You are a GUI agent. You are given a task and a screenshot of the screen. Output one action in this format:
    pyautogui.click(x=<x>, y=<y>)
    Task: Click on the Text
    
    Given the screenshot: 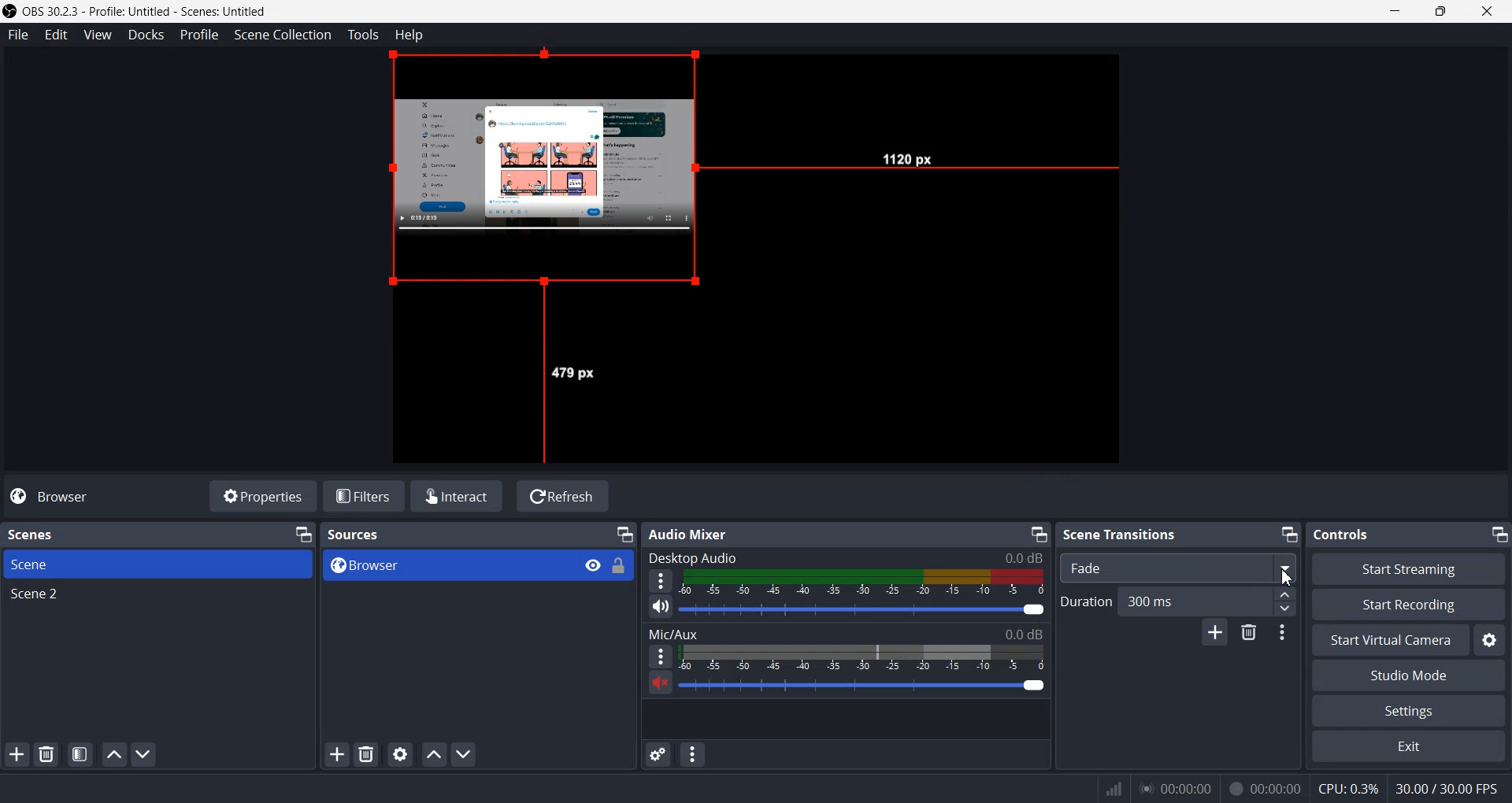 What is the action you would take?
    pyautogui.click(x=845, y=557)
    